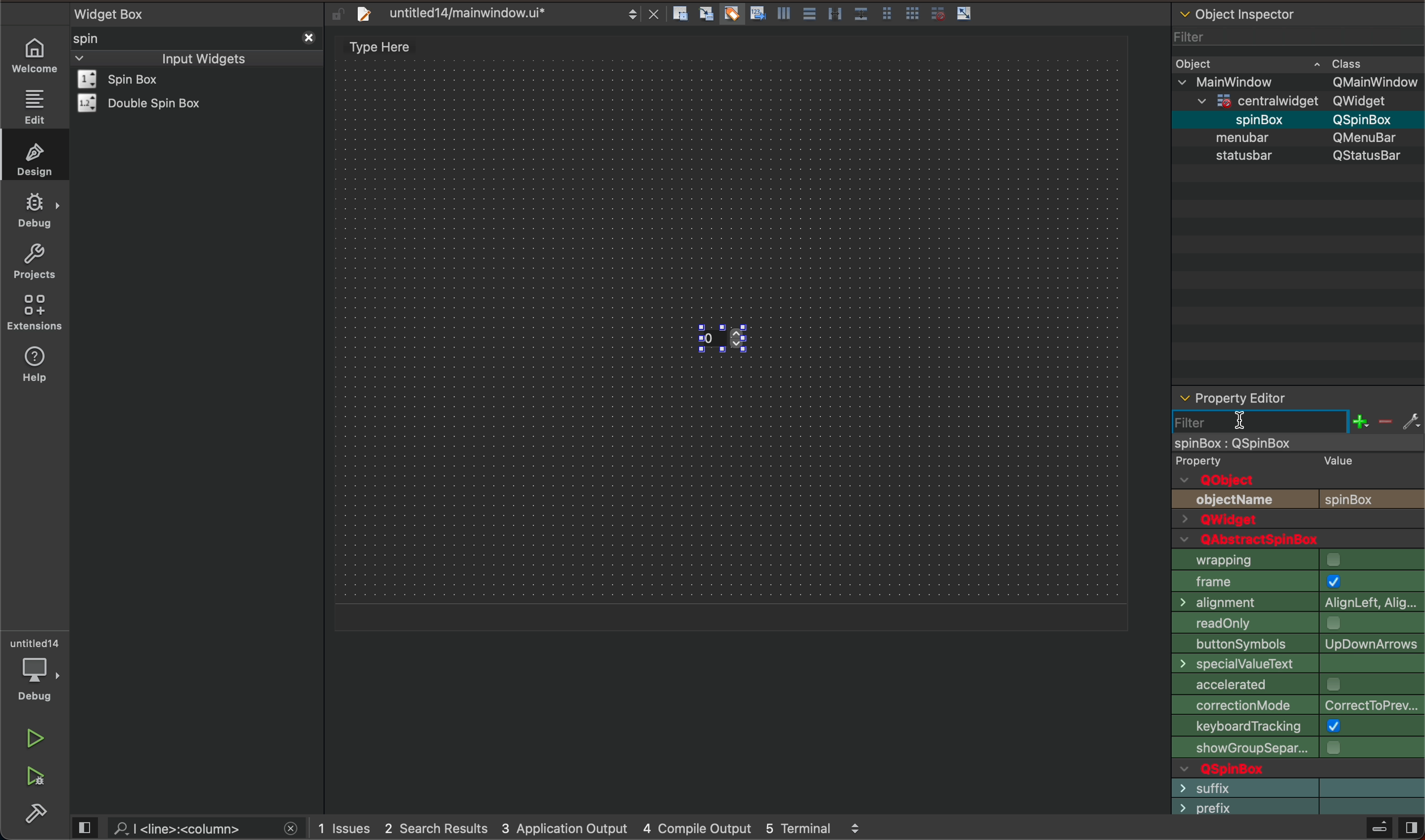 Image resolution: width=1425 pixels, height=840 pixels. What do you see at coordinates (307, 36) in the screenshot?
I see `close` at bounding box center [307, 36].